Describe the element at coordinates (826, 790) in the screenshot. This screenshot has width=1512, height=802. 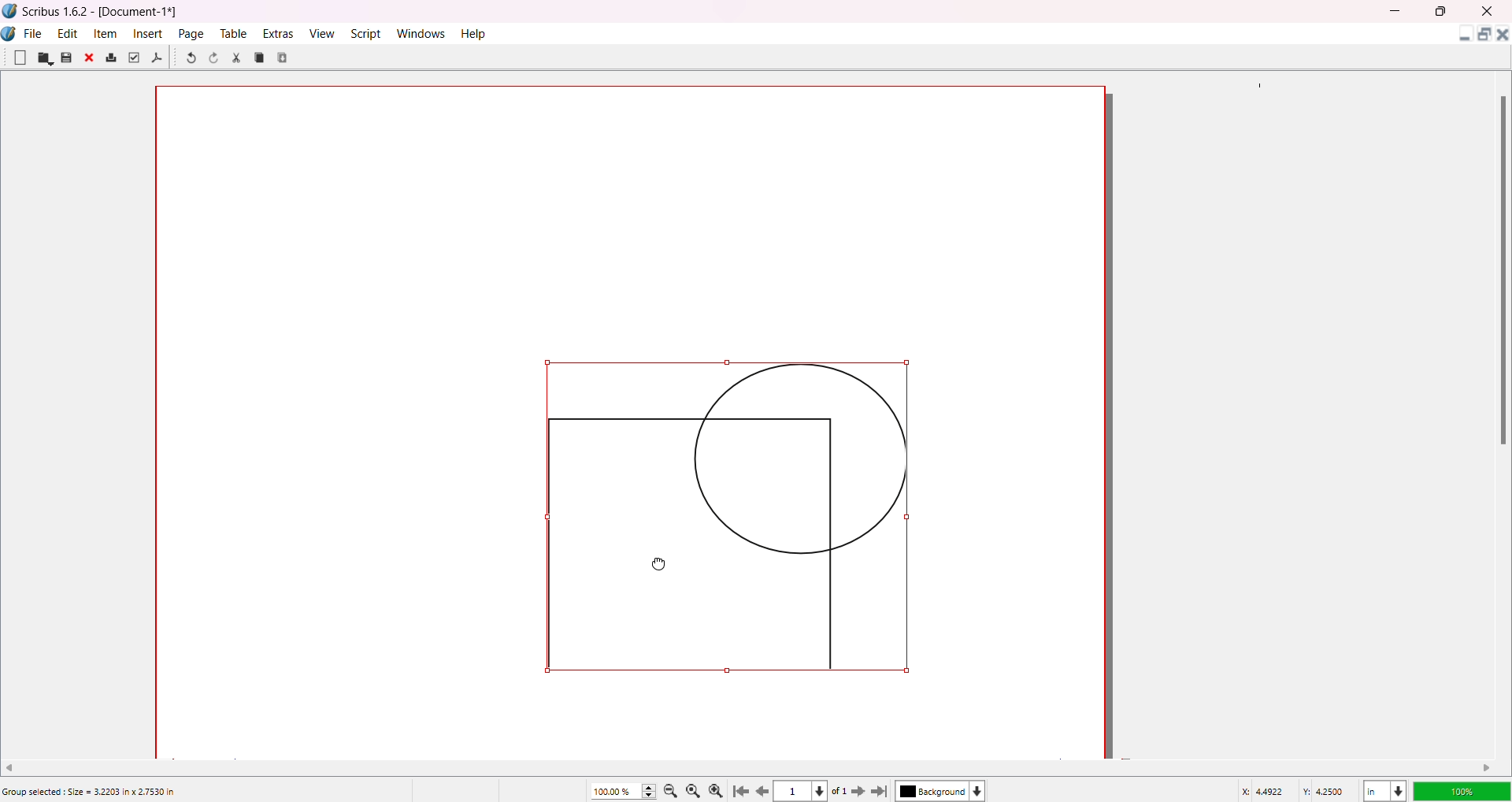
I see `Page dropdown` at that location.